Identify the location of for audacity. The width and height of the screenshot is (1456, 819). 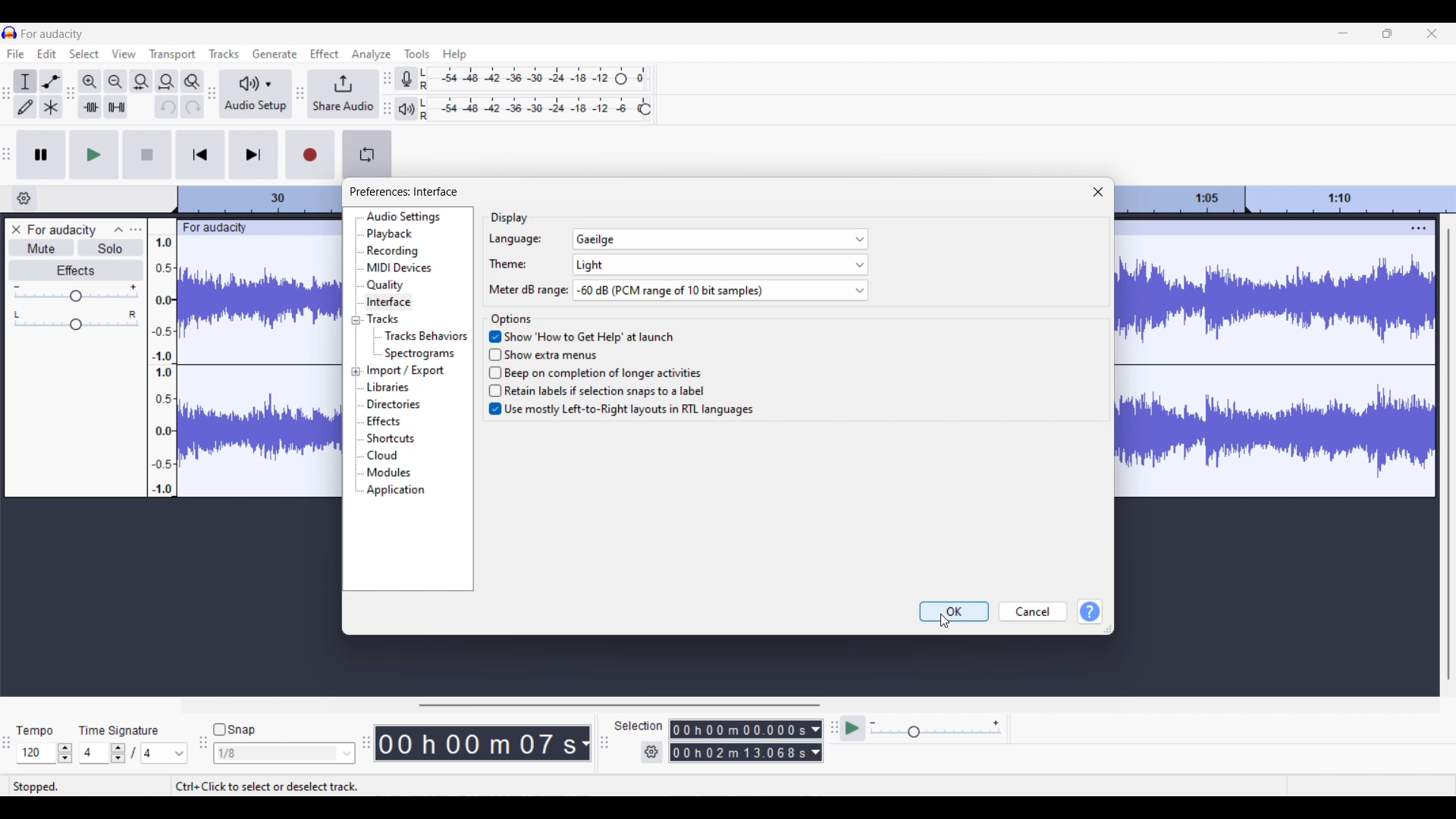
(53, 34).